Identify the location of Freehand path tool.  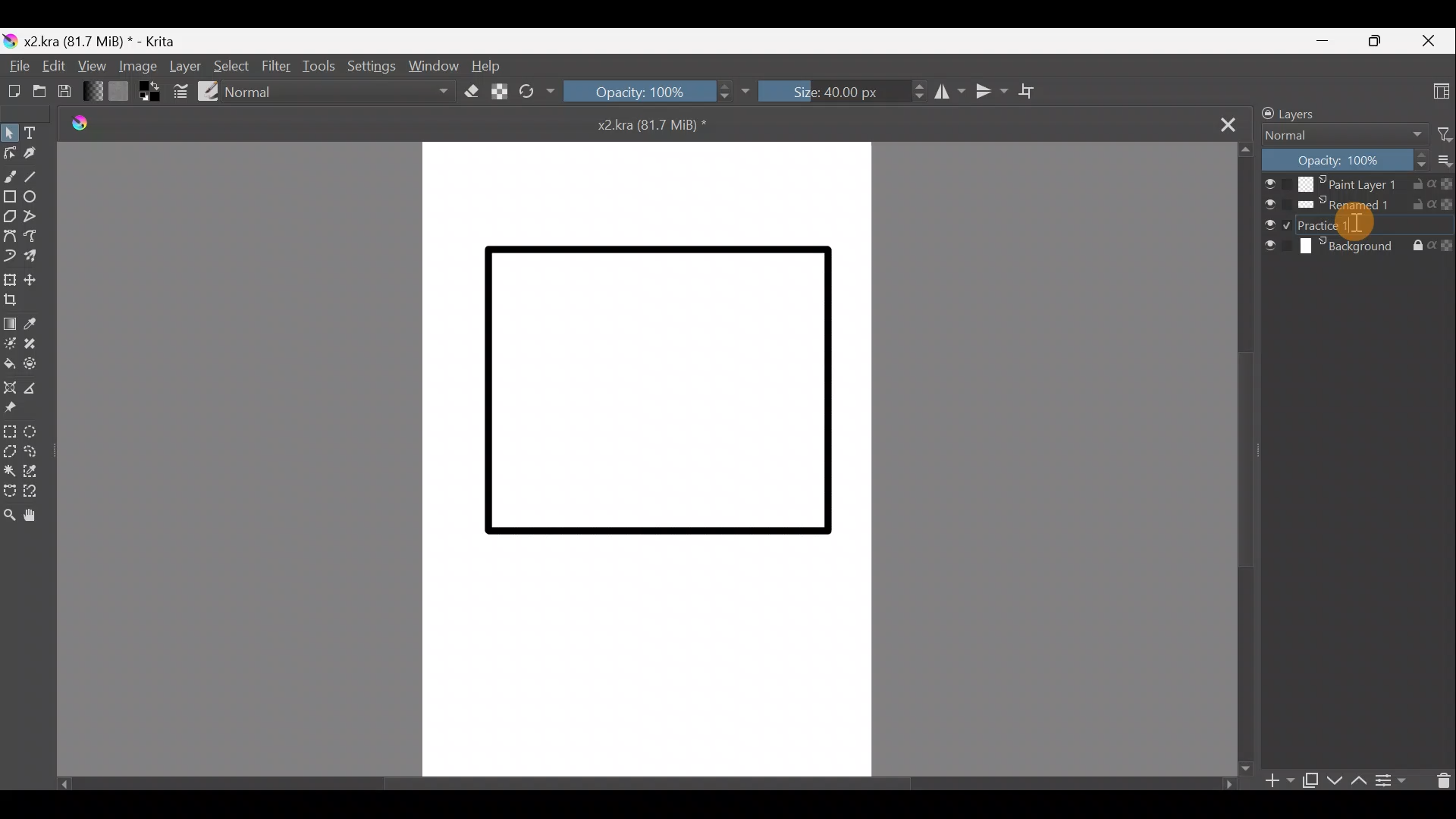
(37, 240).